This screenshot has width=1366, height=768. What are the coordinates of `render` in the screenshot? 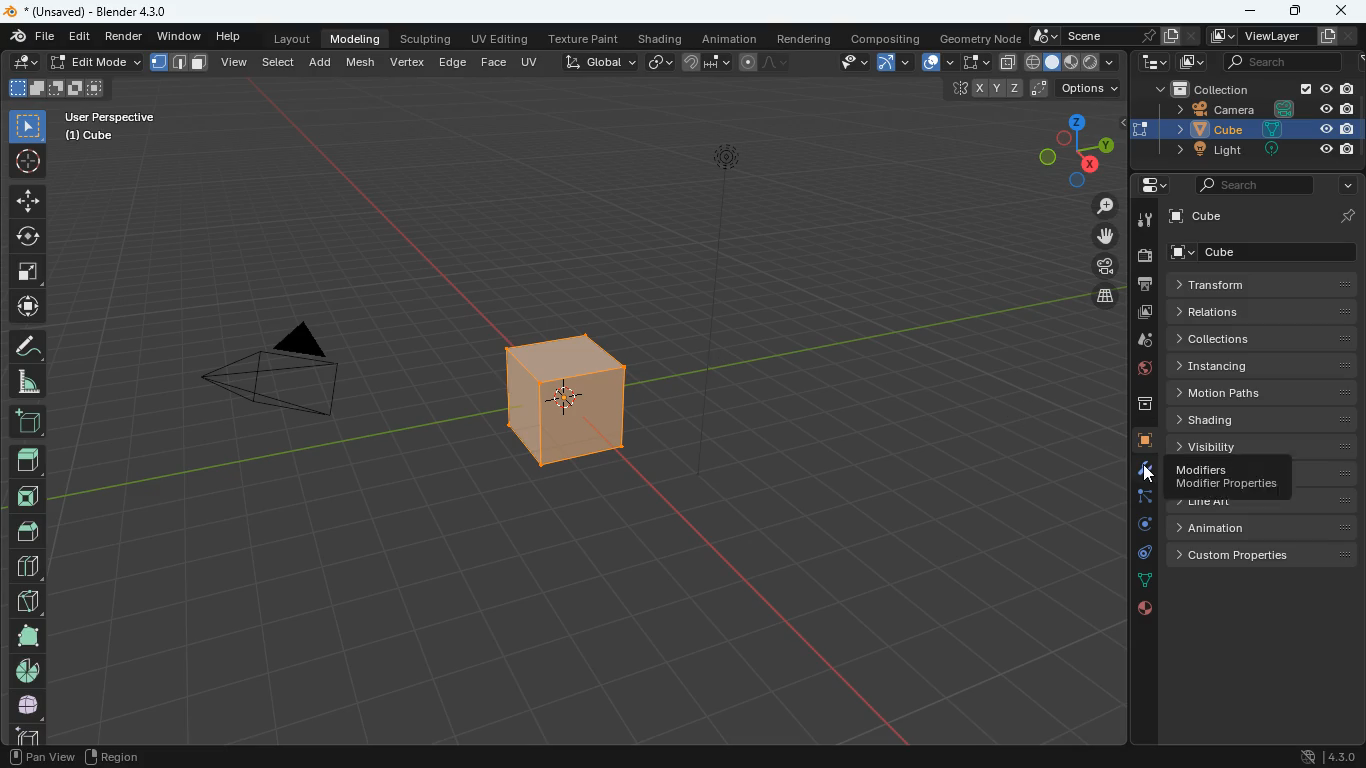 It's located at (124, 37).